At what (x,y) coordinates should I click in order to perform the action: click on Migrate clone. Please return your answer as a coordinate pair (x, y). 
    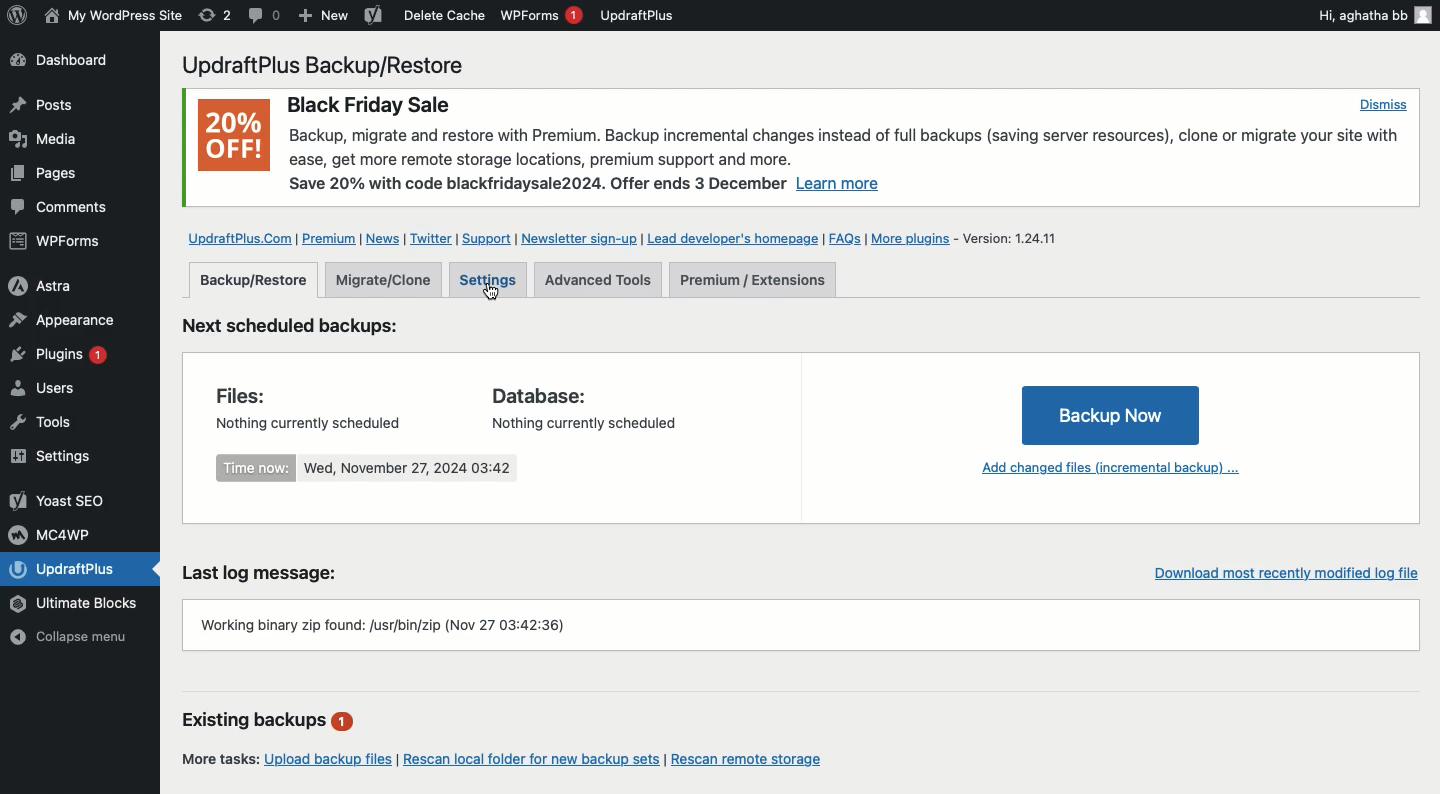
    Looking at the image, I should click on (389, 281).